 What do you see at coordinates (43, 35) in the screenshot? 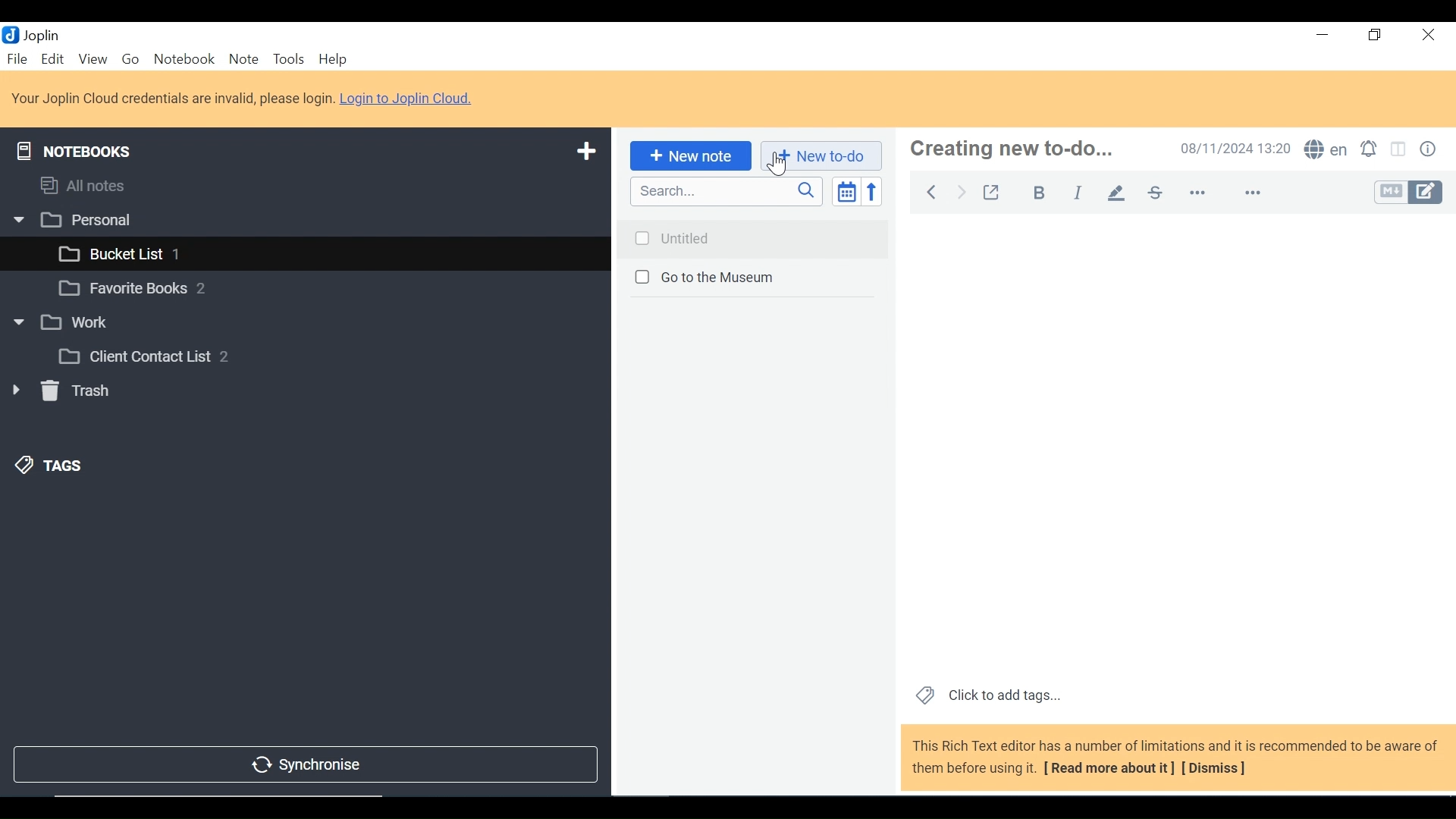
I see `Joplin` at bounding box center [43, 35].